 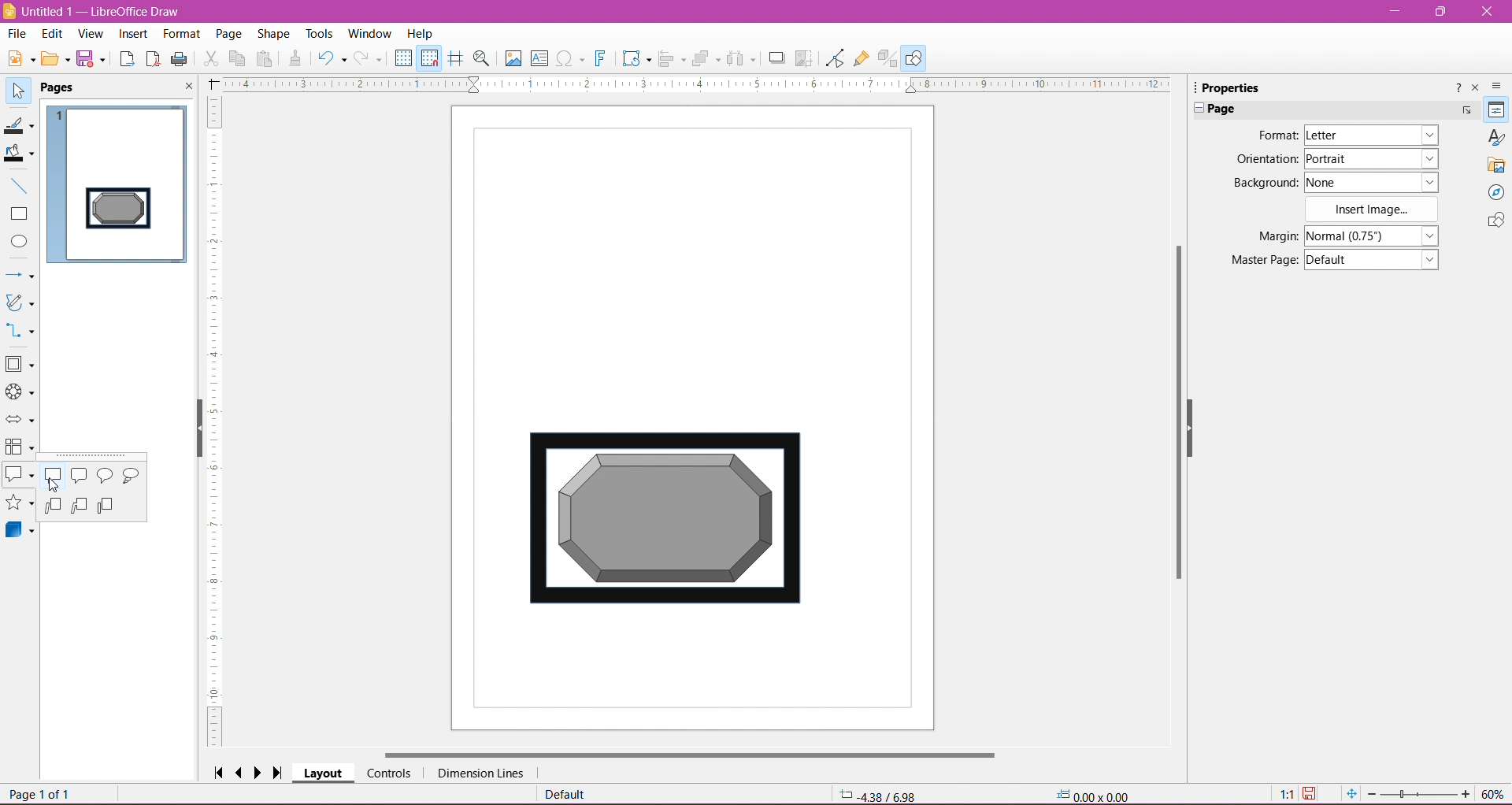 I want to click on Toggle Extrusion, so click(x=888, y=58).